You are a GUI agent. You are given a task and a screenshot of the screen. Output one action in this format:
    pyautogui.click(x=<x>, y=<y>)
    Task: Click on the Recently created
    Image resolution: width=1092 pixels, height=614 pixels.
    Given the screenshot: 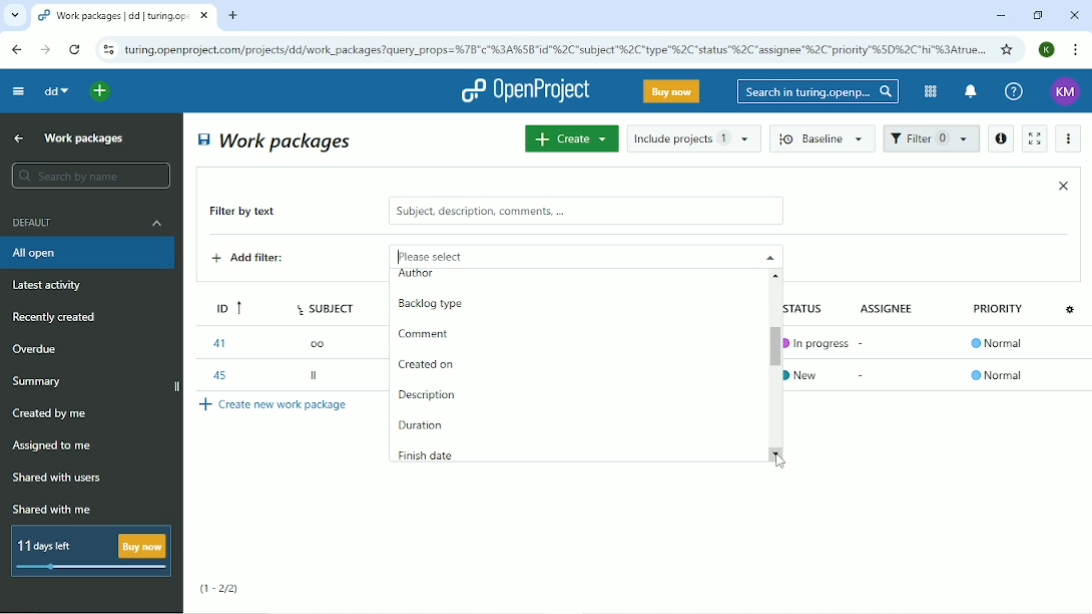 What is the action you would take?
    pyautogui.click(x=58, y=317)
    